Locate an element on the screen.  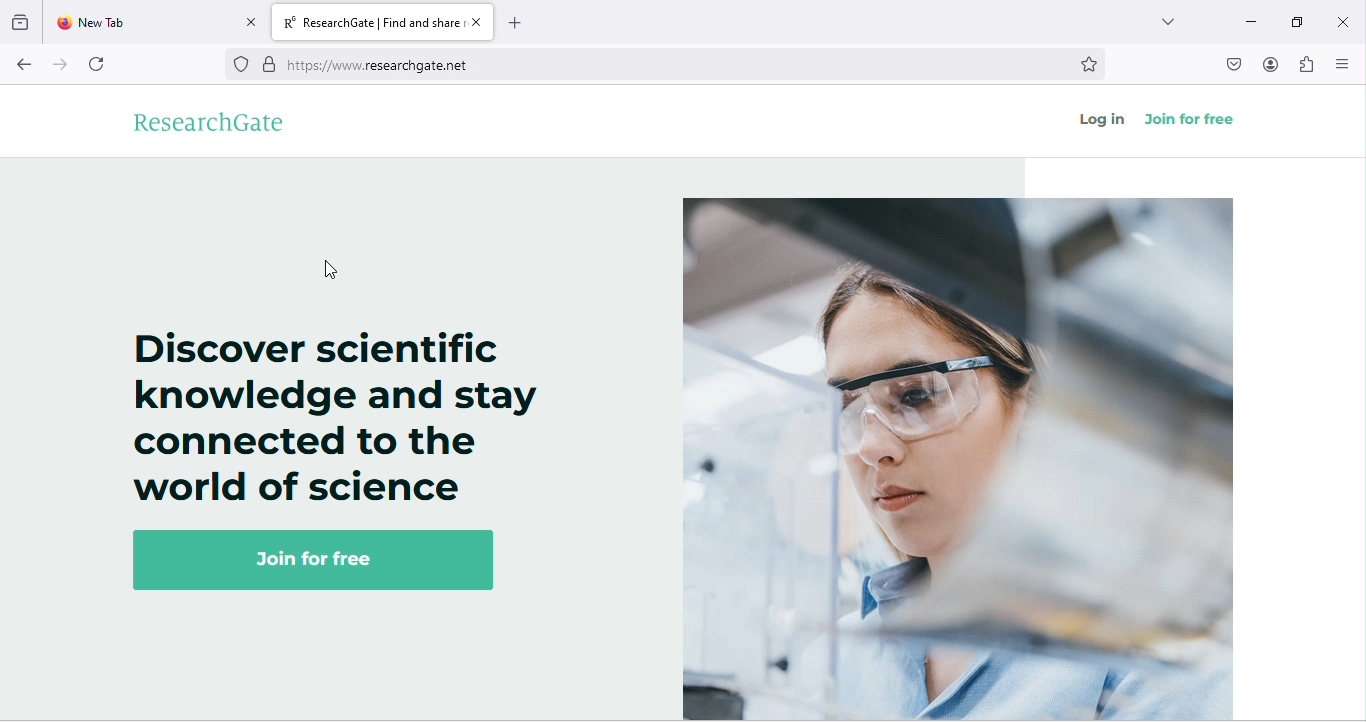
forward is located at coordinates (56, 66).